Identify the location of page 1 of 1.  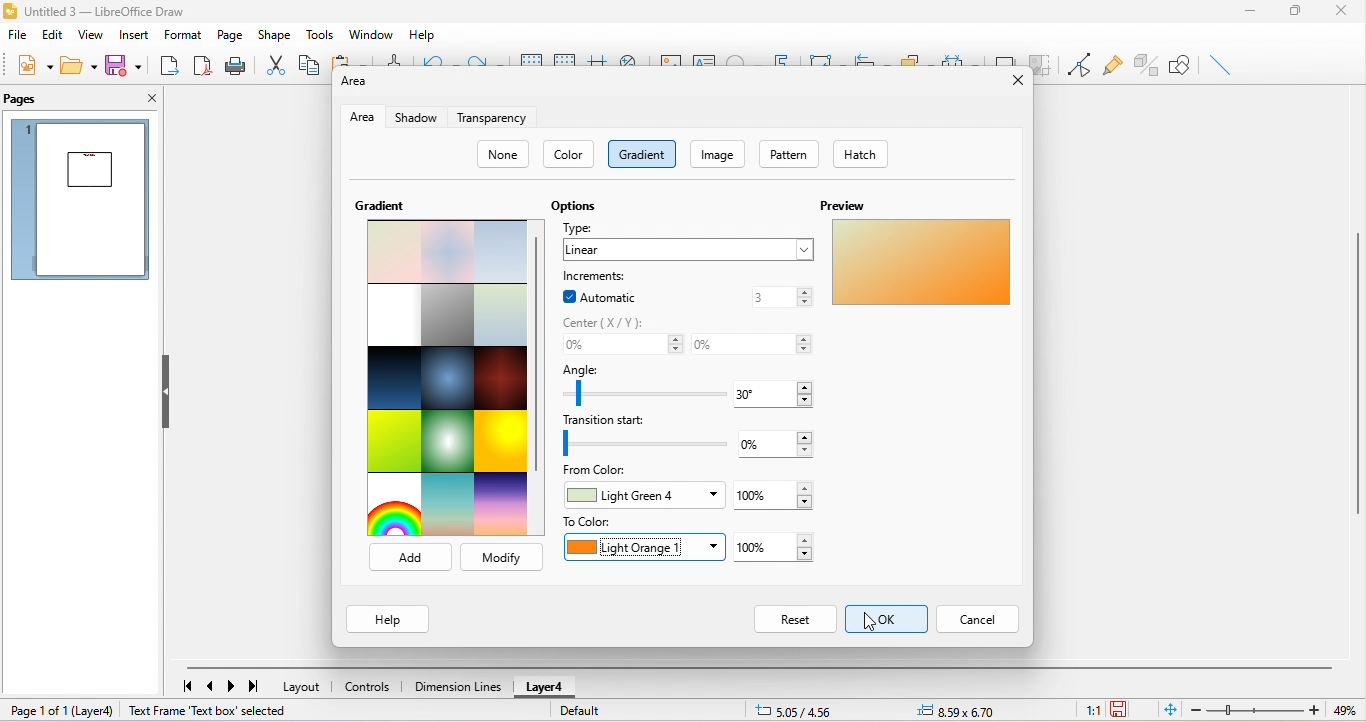
(37, 712).